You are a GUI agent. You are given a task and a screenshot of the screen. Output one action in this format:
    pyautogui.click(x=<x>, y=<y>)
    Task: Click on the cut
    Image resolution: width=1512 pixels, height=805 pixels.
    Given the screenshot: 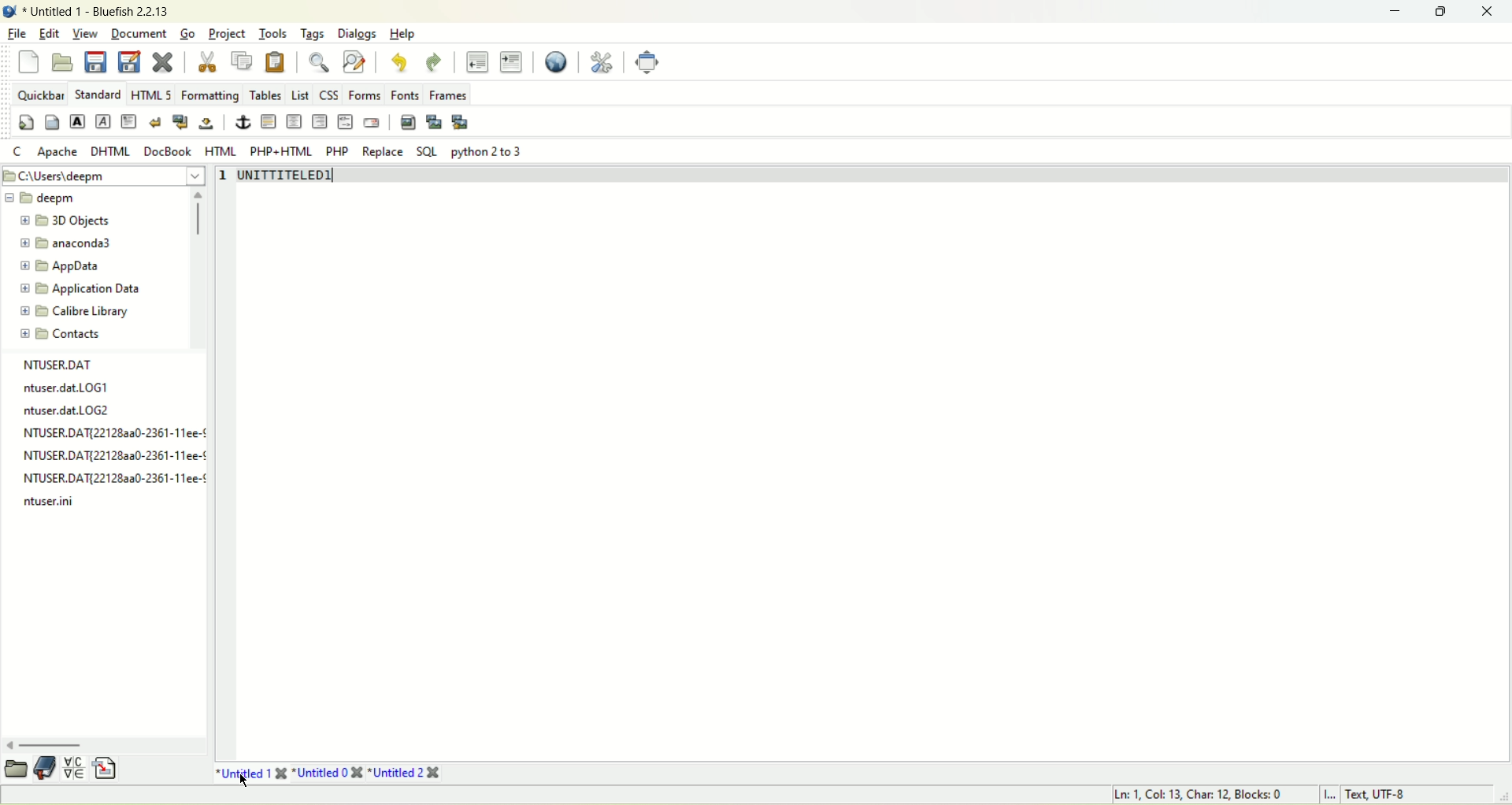 What is the action you would take?
    pyautogui.click(x=209, y=63)
    